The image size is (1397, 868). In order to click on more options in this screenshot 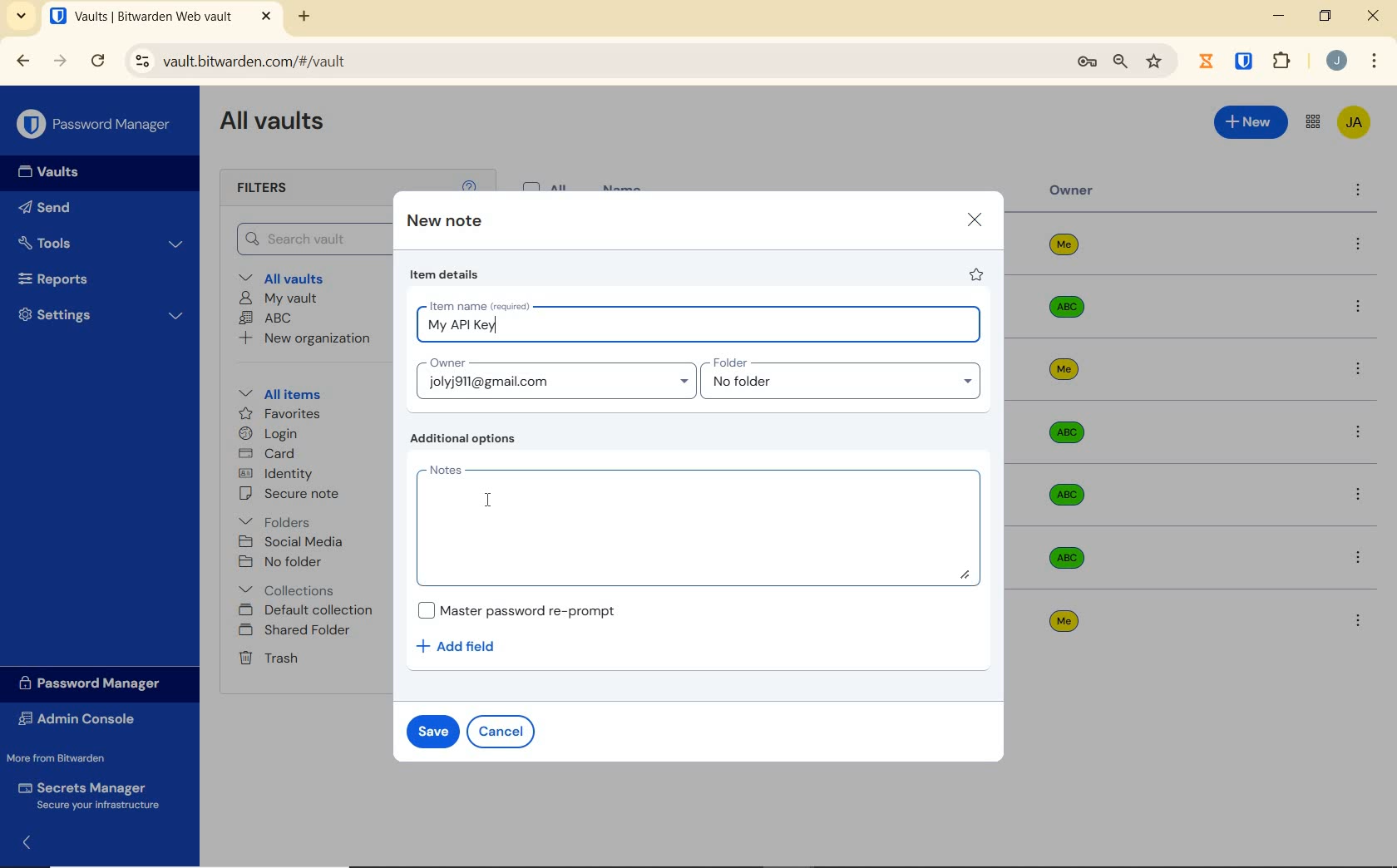, I will do `click(1359, 372)`.